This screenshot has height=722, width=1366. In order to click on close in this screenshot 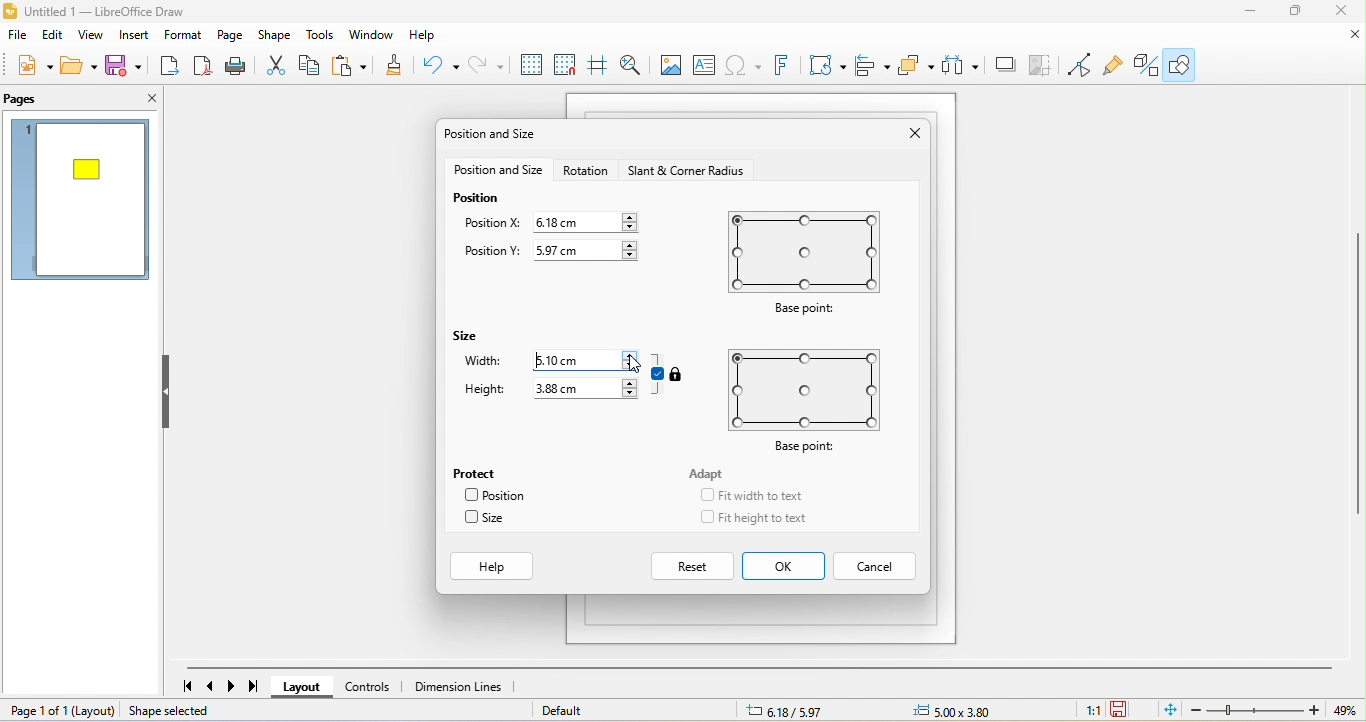, I will do `click(1344, 14)`.